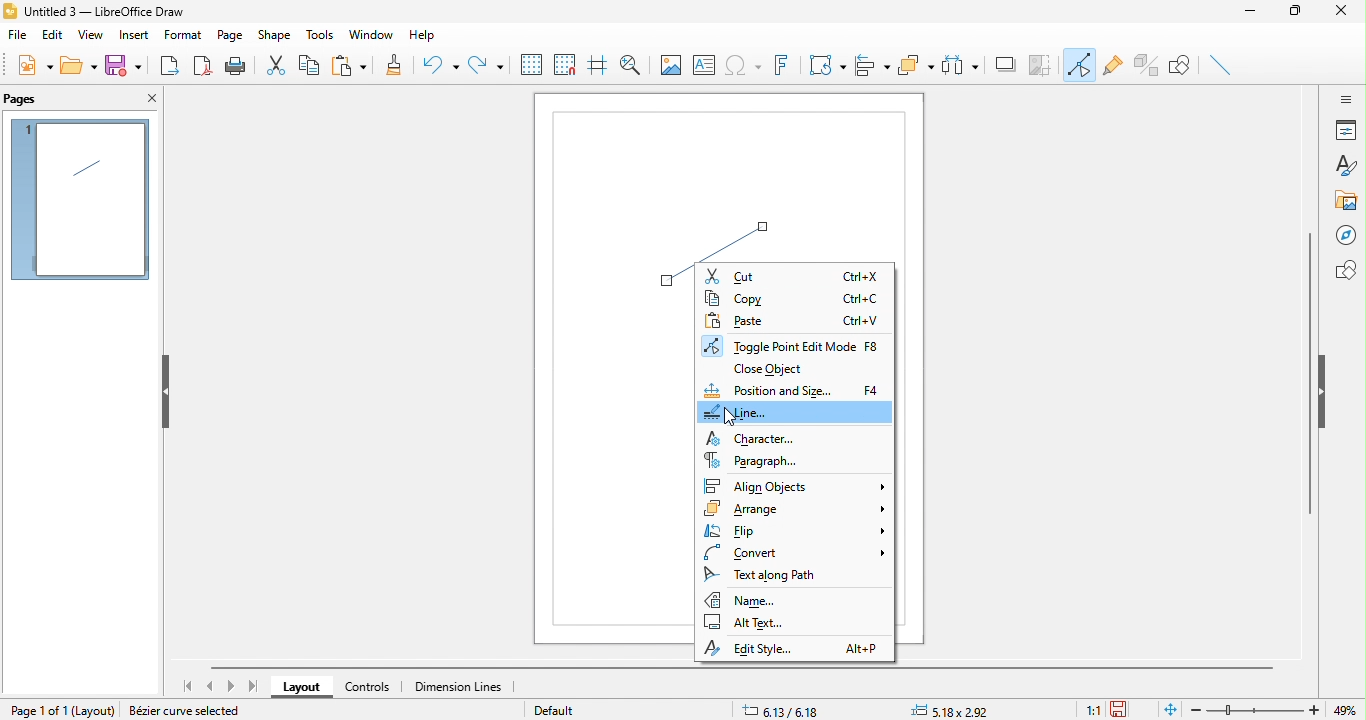  I want to click on name, so click(744, 600).